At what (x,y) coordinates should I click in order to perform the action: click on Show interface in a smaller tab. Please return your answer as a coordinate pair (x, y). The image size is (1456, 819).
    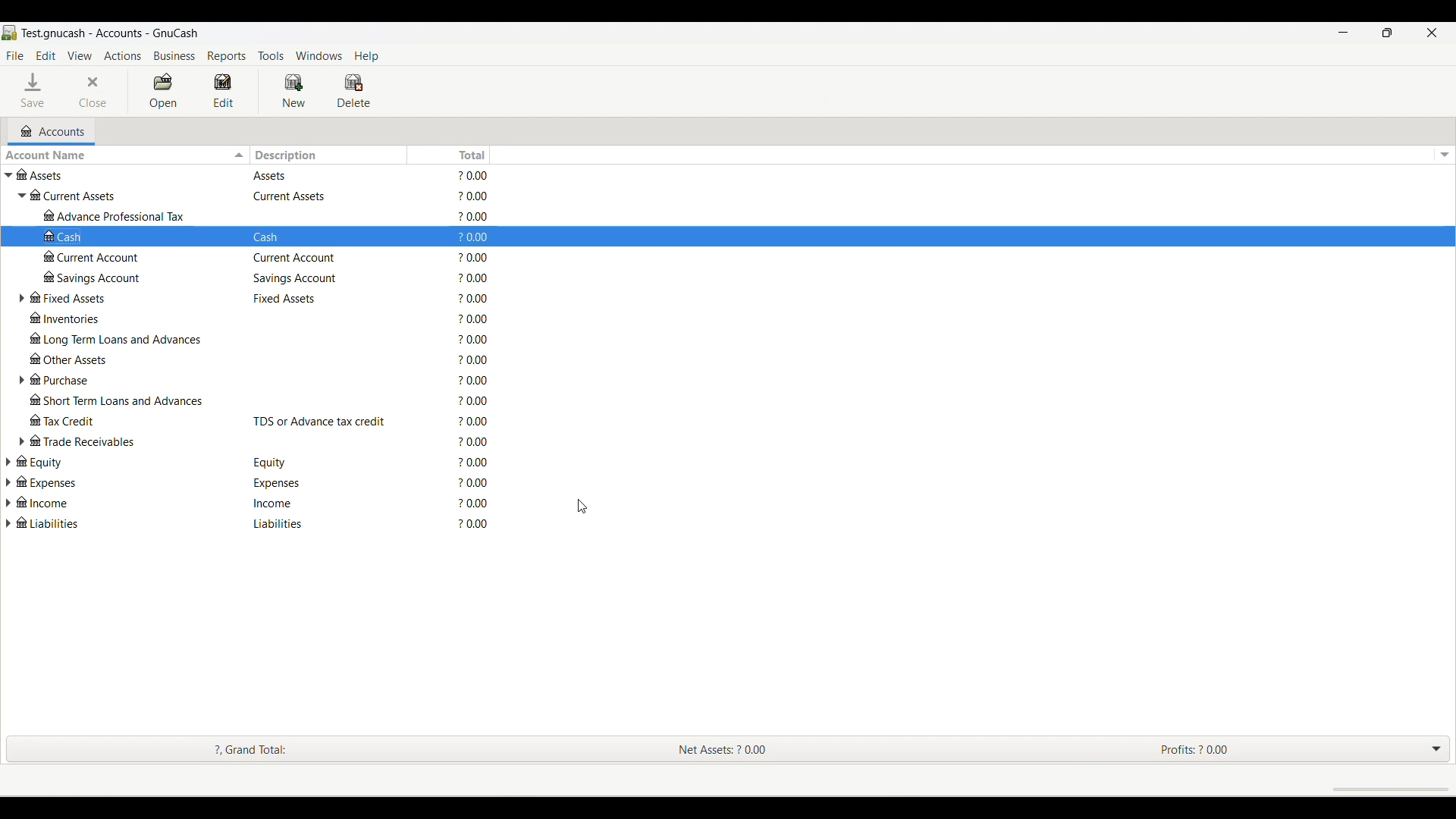
    Looking at the image, I should click on (1386, 33).